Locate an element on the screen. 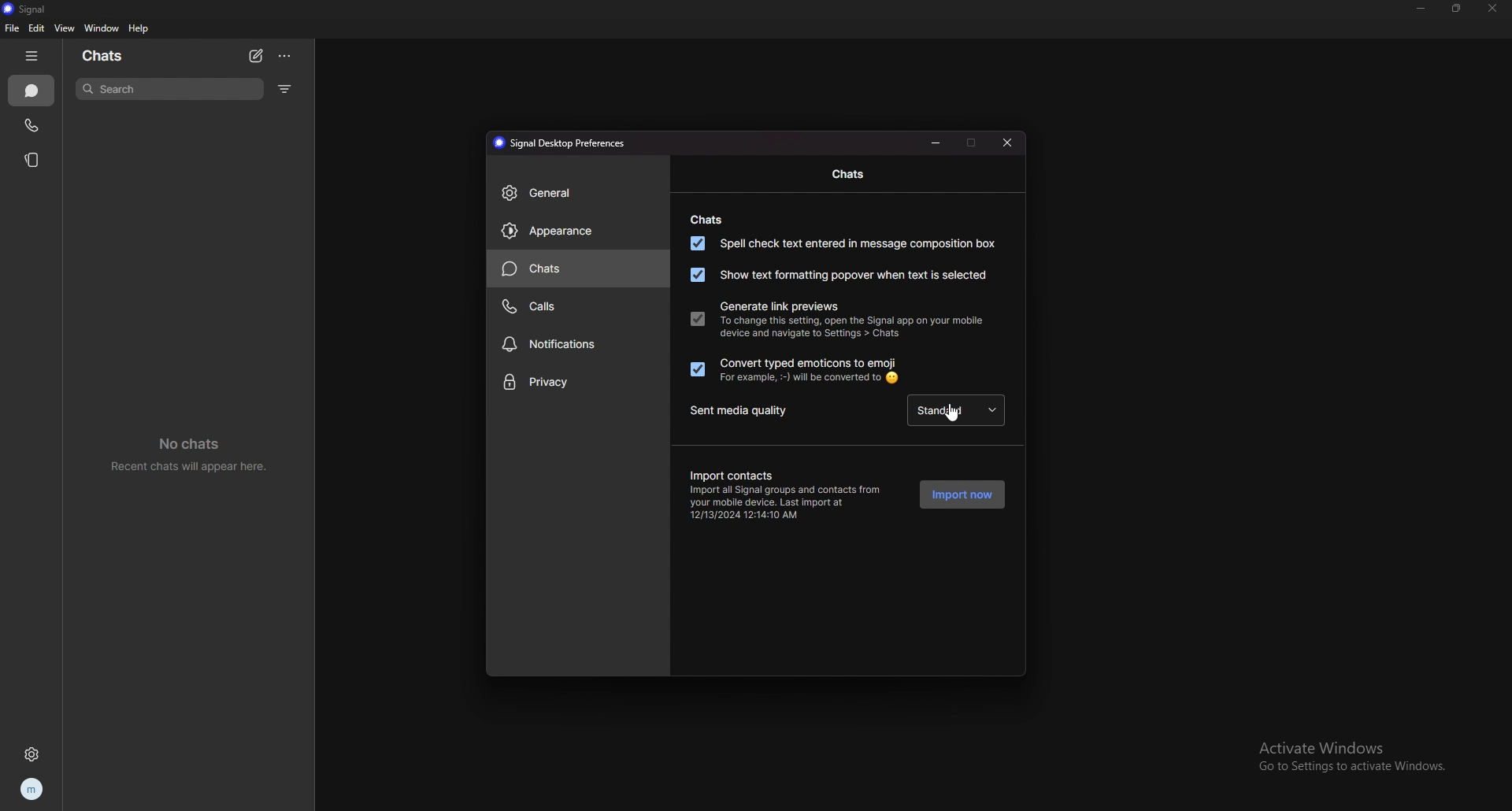 Image resolution: width=1512 pixels, height=811 pixels. view is located at coordinates (65, 28).